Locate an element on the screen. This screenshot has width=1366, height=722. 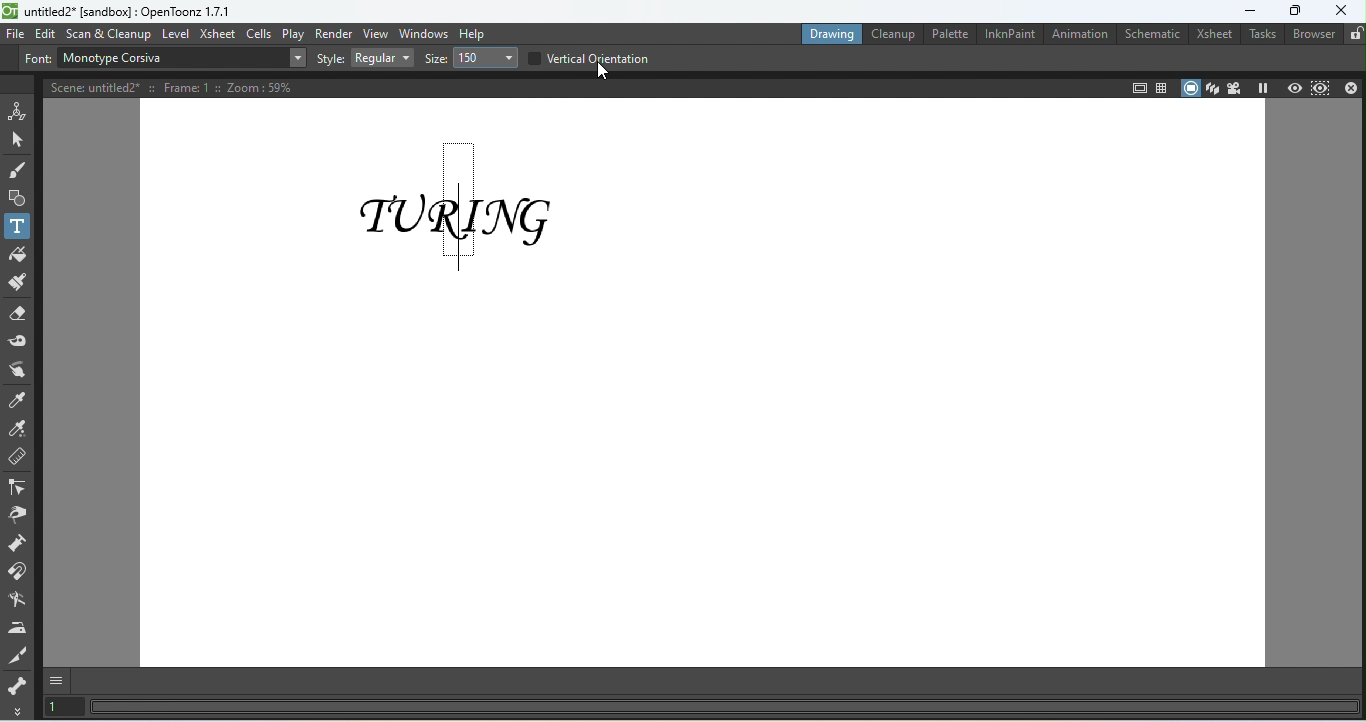
Preview is located at coordinates (1291, 87).